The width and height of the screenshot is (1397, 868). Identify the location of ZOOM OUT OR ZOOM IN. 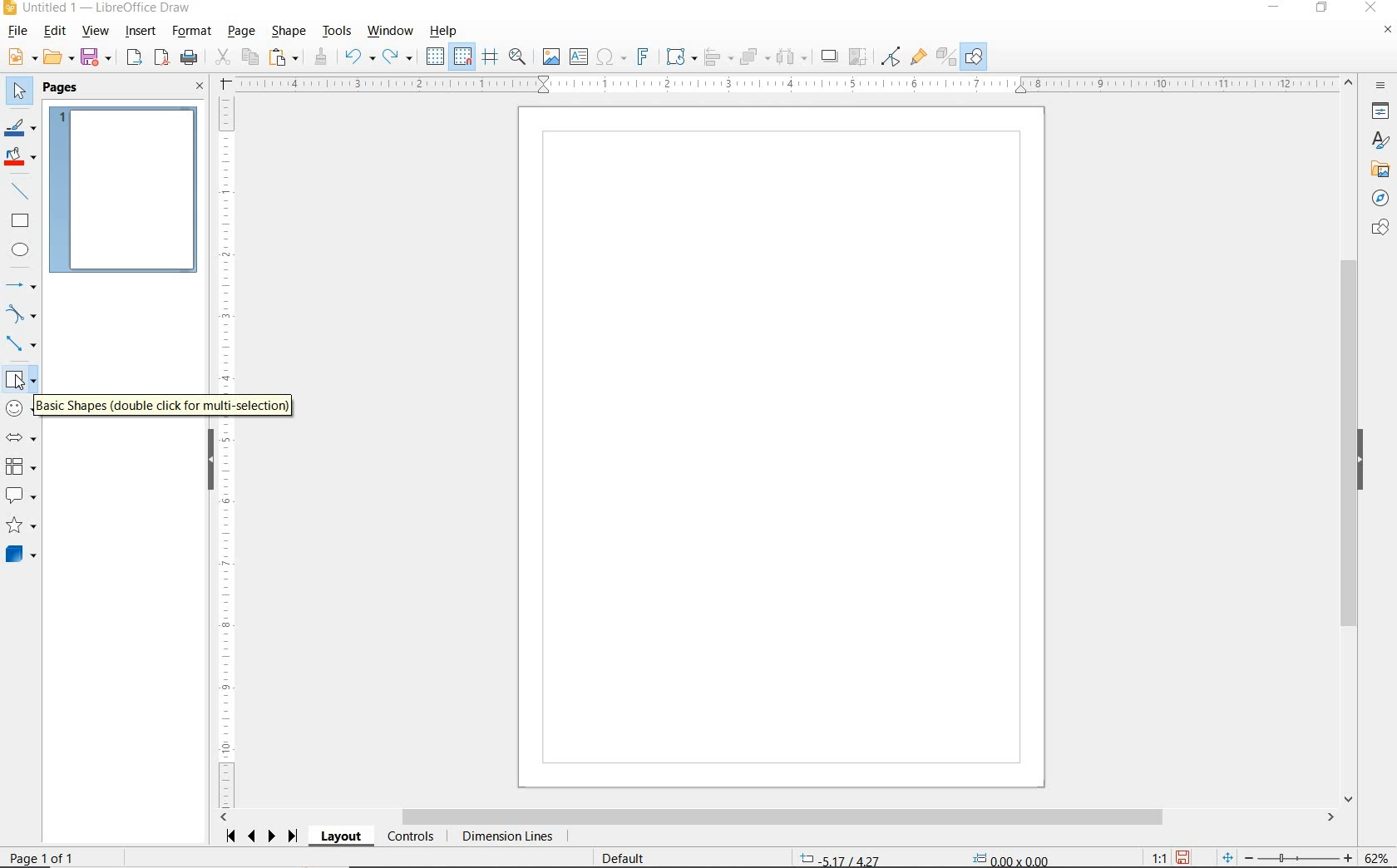
(1288, 855).